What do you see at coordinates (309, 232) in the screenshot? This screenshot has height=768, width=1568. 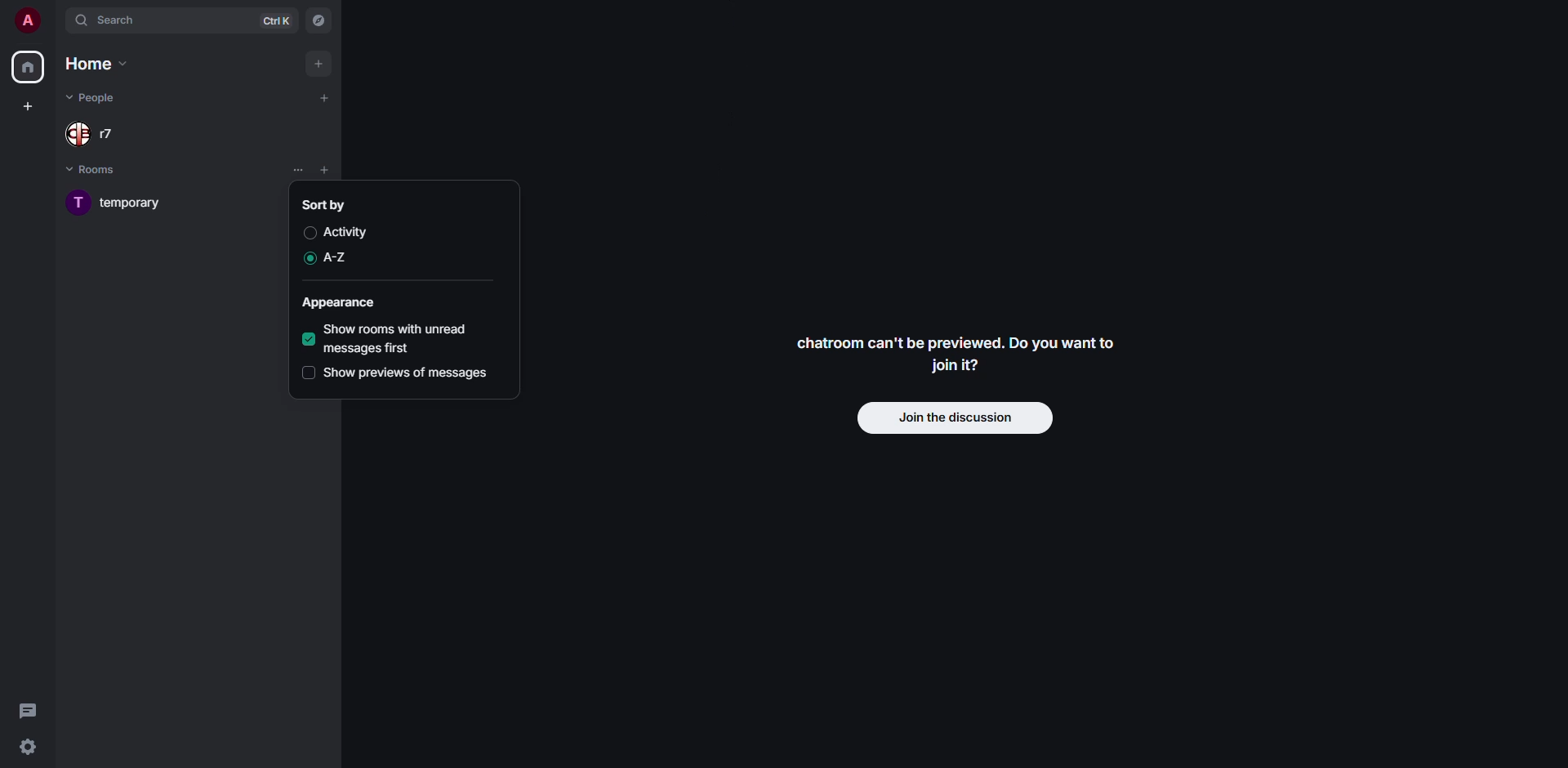 I see `disabled` at bounding box center [309, 232].